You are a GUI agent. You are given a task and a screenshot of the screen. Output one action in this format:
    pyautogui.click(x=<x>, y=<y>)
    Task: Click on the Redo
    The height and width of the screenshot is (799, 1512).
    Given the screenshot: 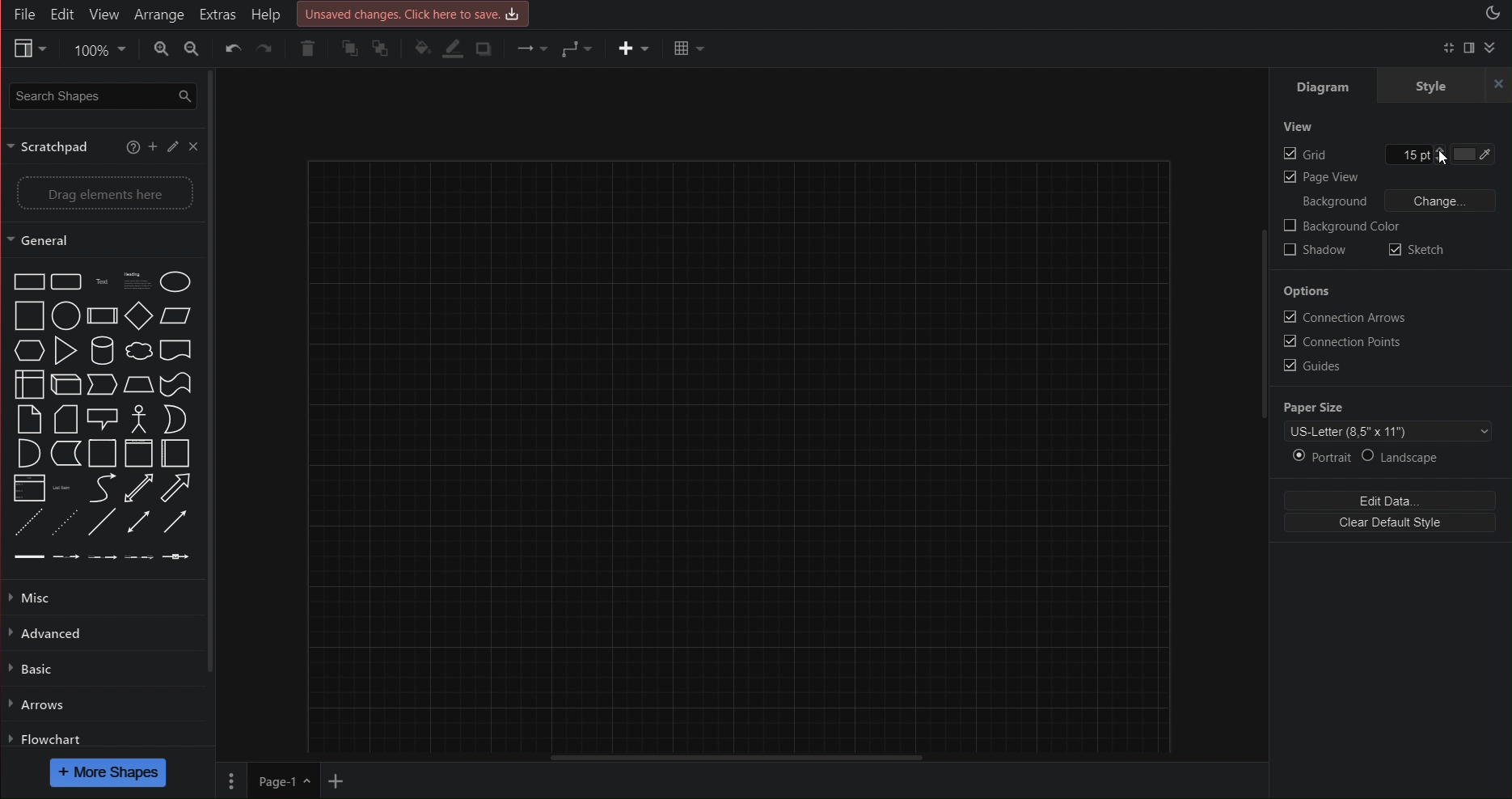 What is the action you would take?
    pyautogui.click(x=268, y=53)
    